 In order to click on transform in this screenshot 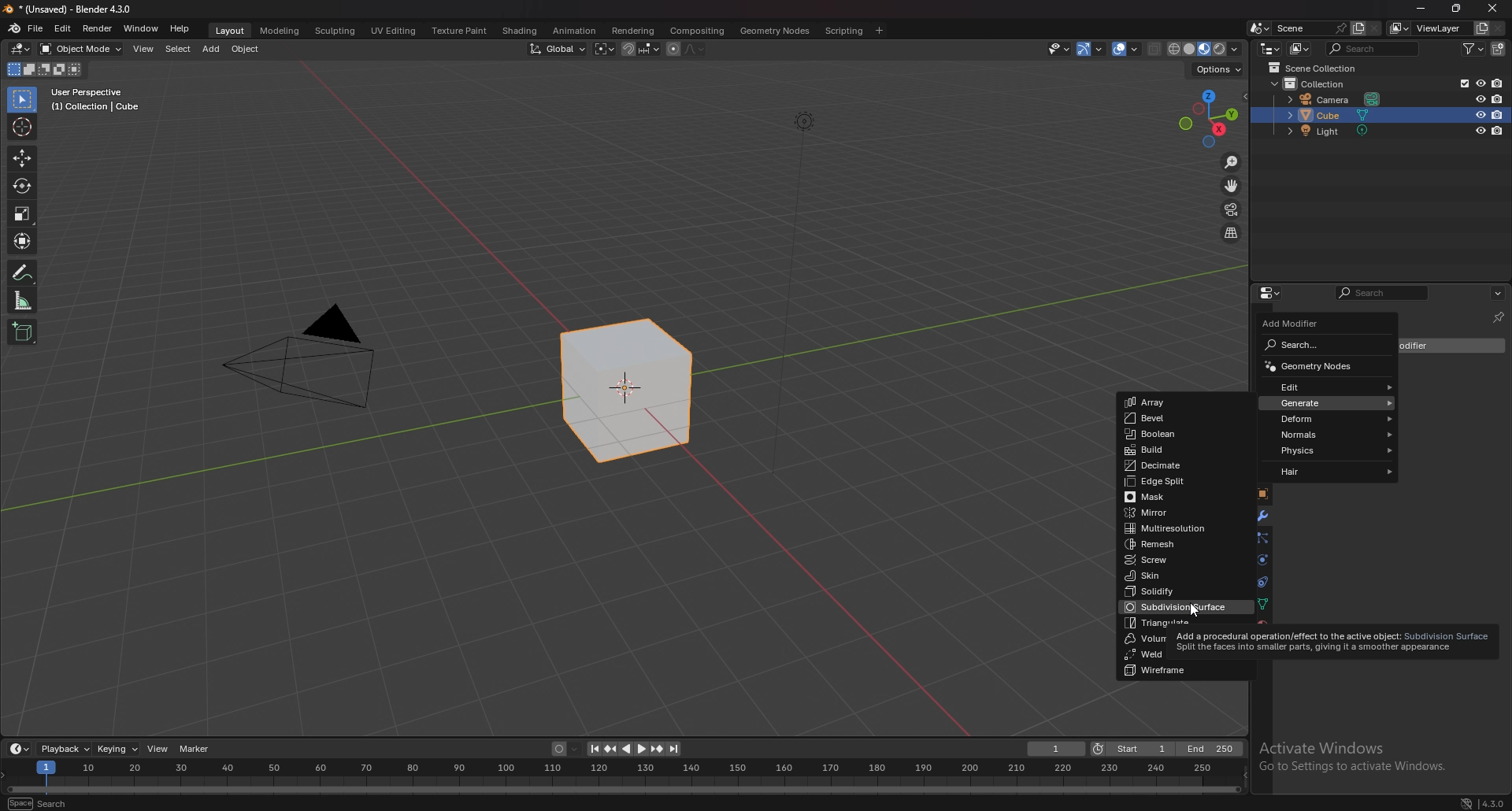, I will do `click(23, 242)`.